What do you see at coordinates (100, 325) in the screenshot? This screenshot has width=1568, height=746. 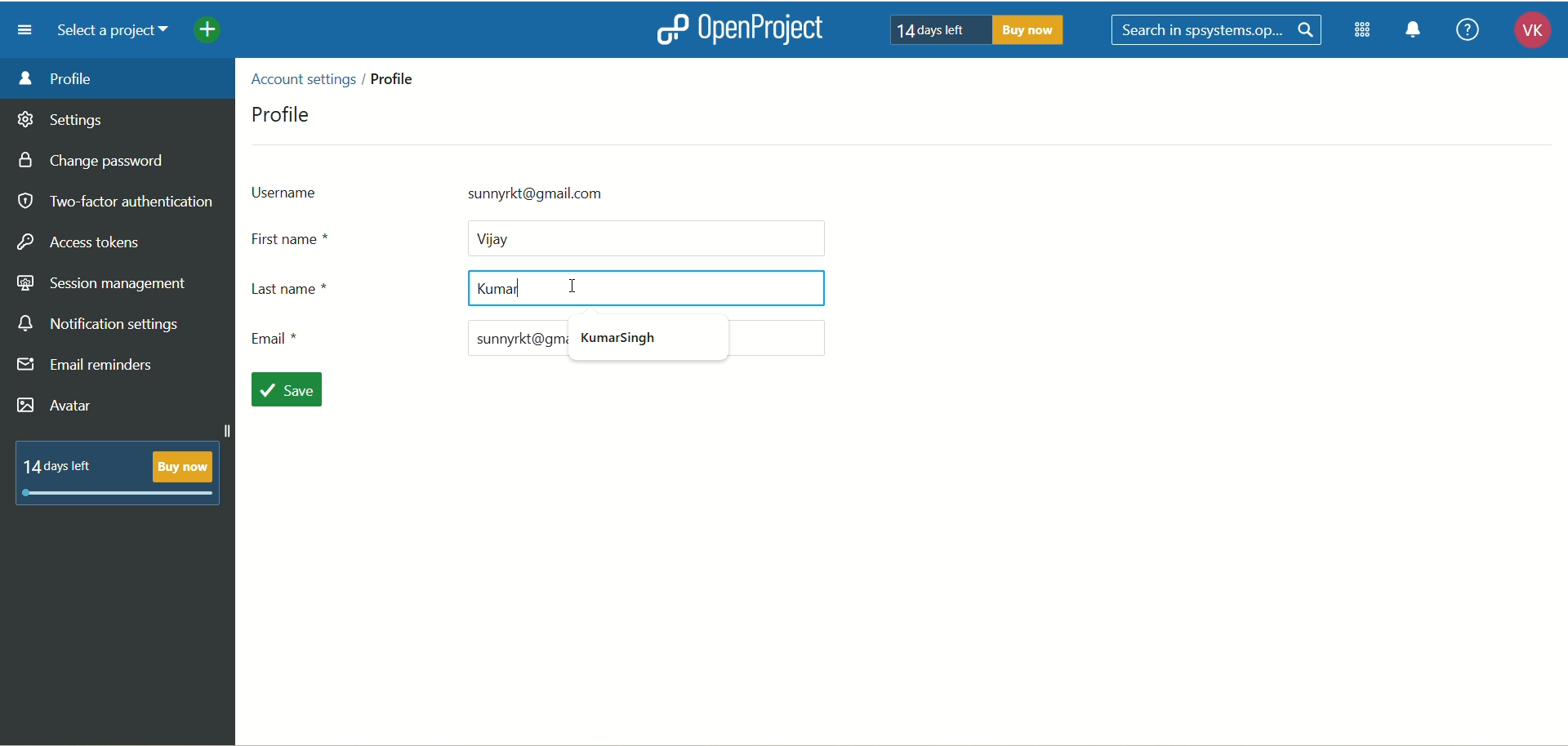 I see `notification settings` at bounding box center [100, 325].